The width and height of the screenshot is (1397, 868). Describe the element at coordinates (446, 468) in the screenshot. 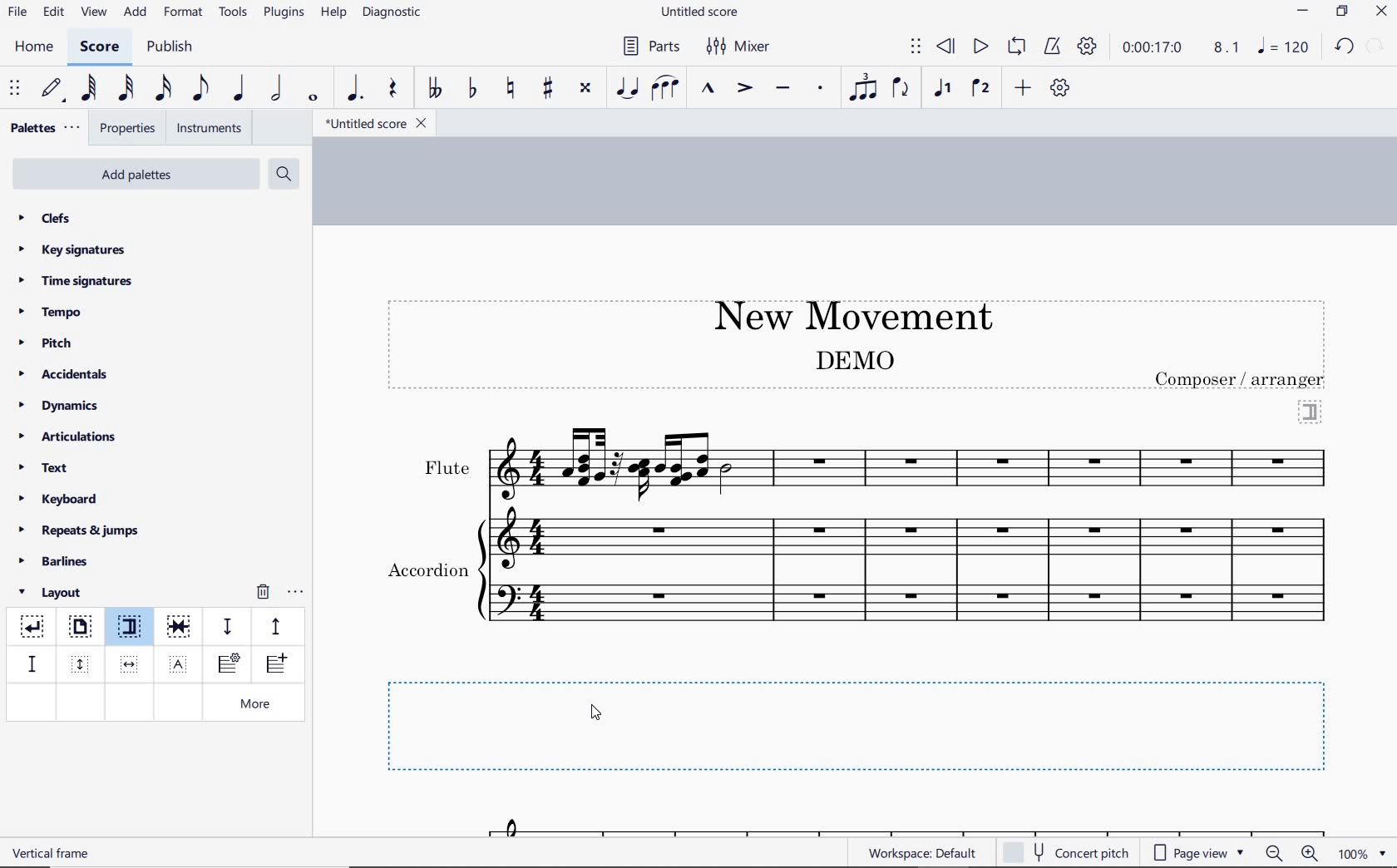

I see `text` at that location.